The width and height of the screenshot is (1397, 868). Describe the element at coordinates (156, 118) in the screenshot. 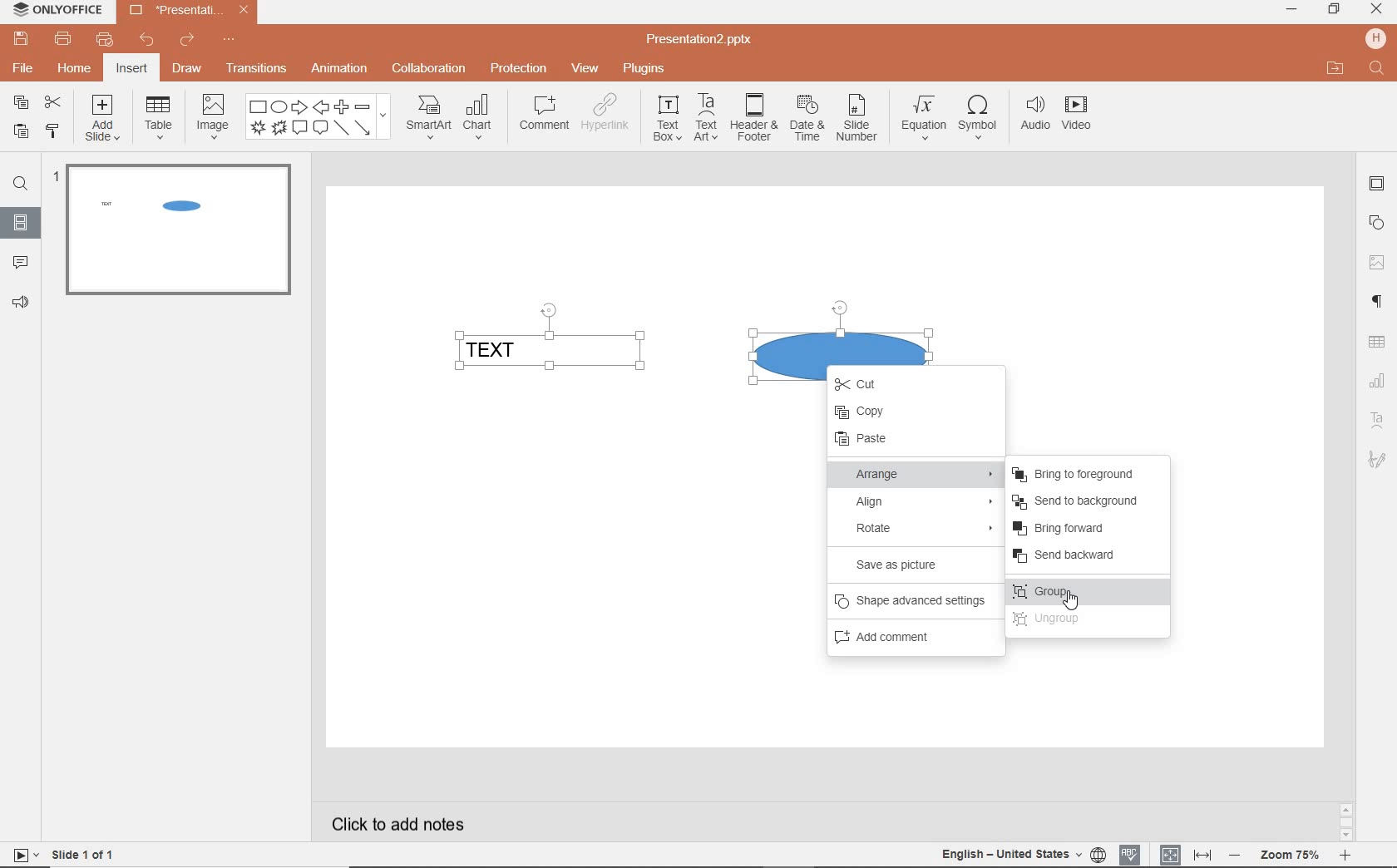

I see `table` at that location.